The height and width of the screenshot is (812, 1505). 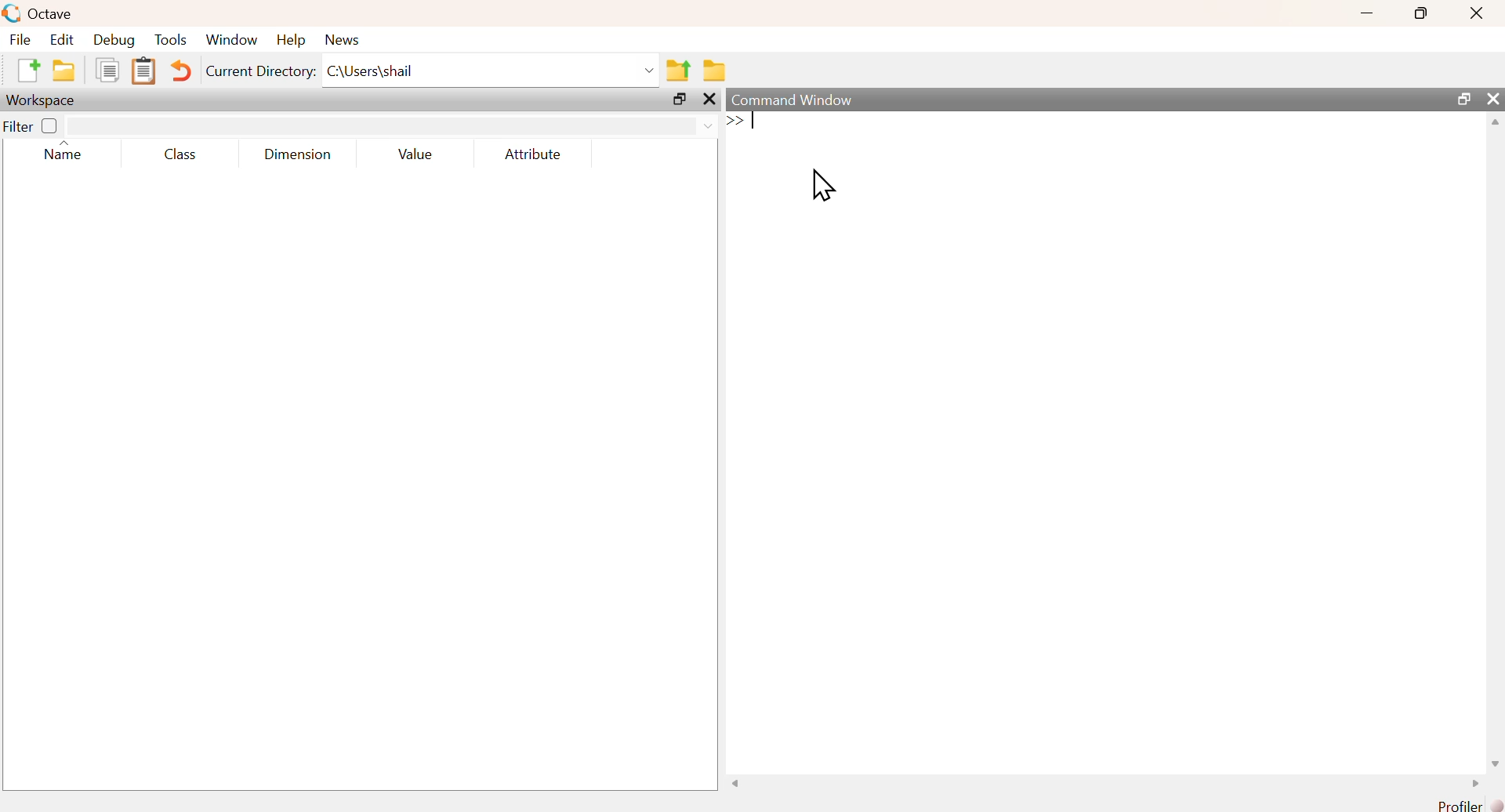 I want to click on close, so click(x=1478, y=13).